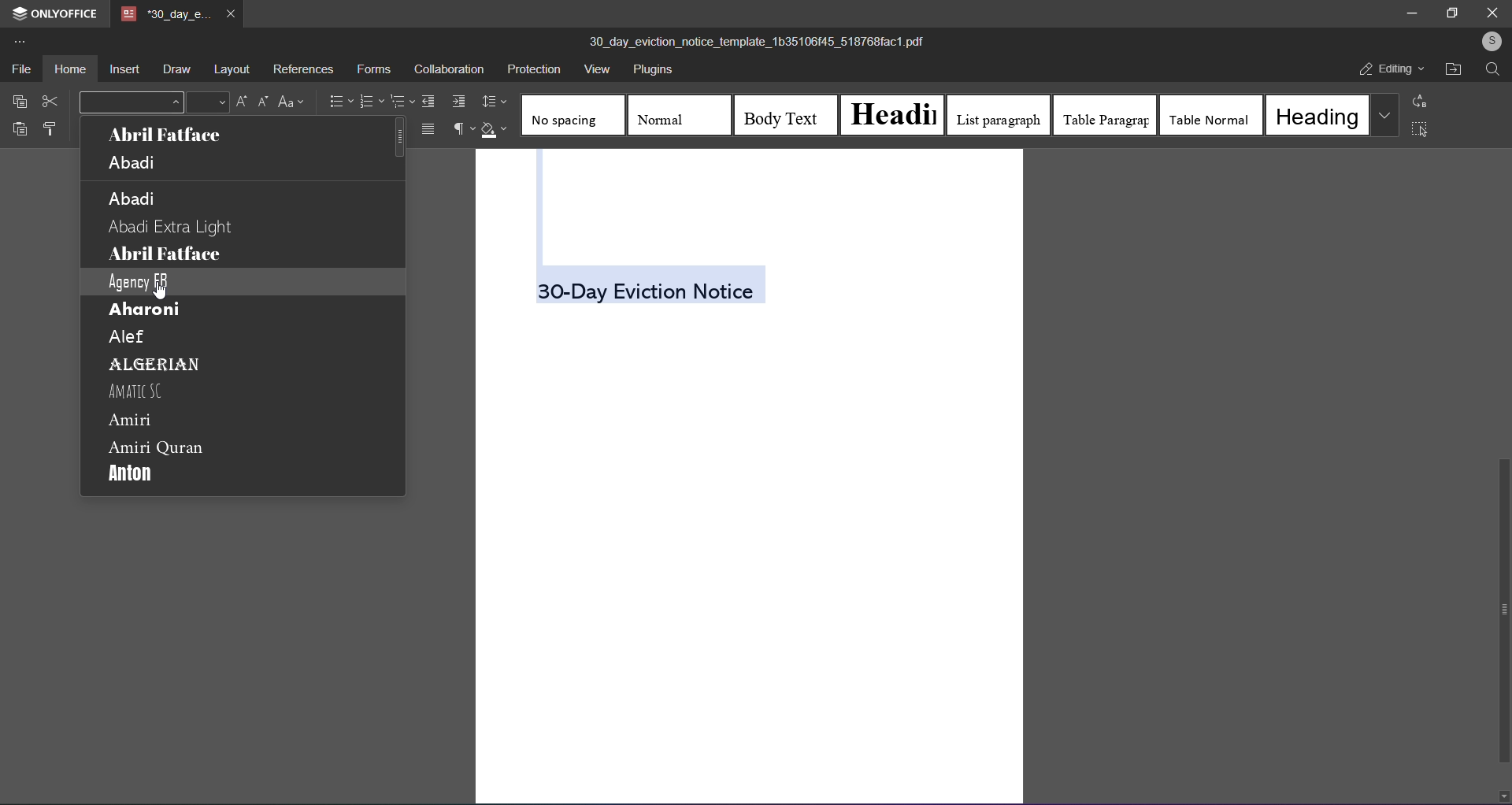 The image size is (1512, 805). What do you see at coordinates (178, 136) in the screenshot?
I see `abril fatface` at bounding box center [178, 136].